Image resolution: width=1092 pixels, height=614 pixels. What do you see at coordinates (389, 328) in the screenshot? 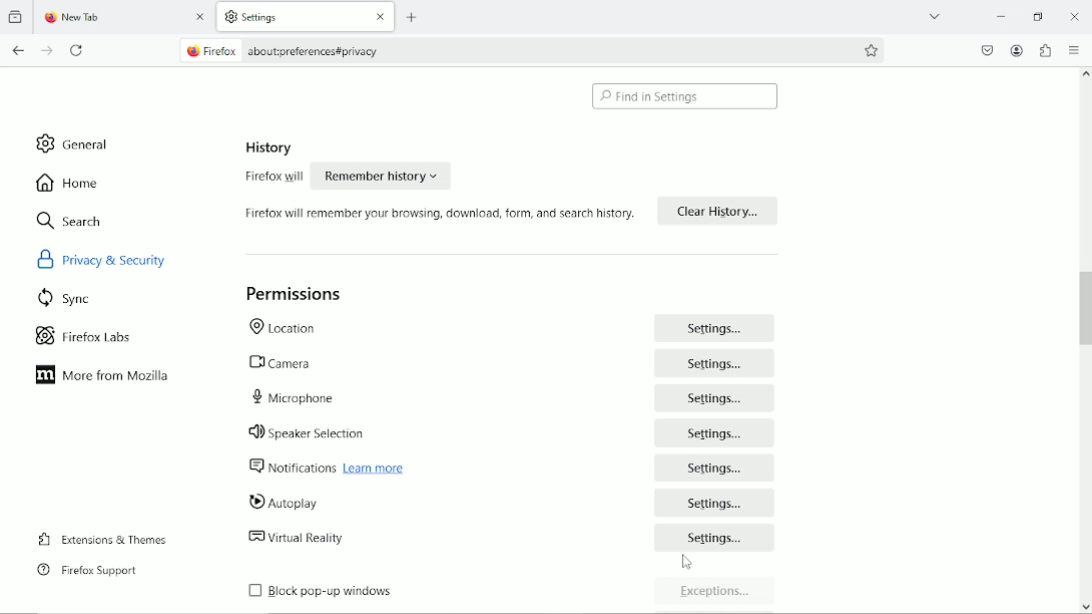
I see `location` at bounding box center [389, 328].